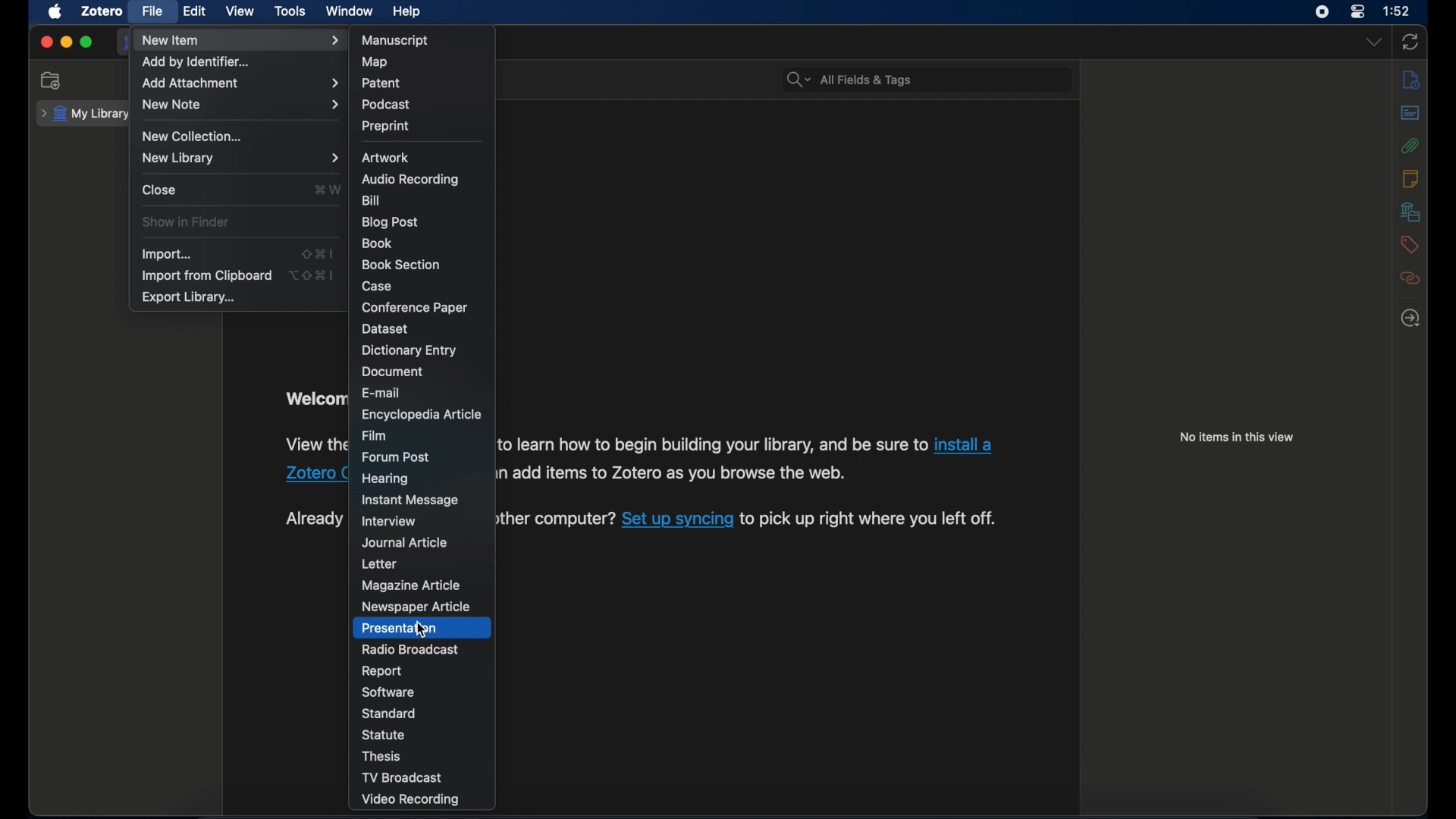  What do you see at coordinates (677, 518) in the screenshot?
I see `Set up syncing` at bounding box center [677, 518].